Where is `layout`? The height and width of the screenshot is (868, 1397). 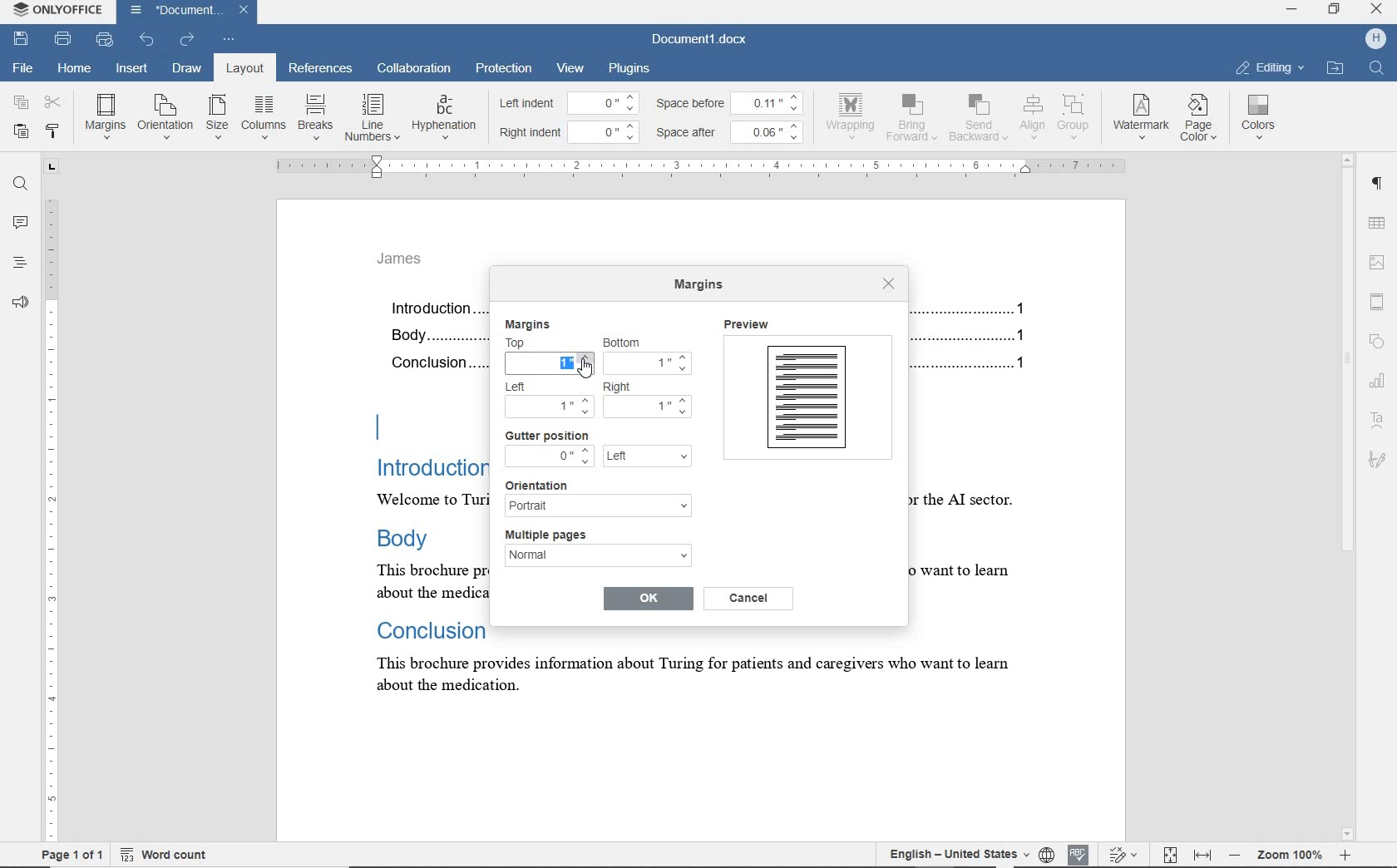
layout is located at coordinates (241, 68).